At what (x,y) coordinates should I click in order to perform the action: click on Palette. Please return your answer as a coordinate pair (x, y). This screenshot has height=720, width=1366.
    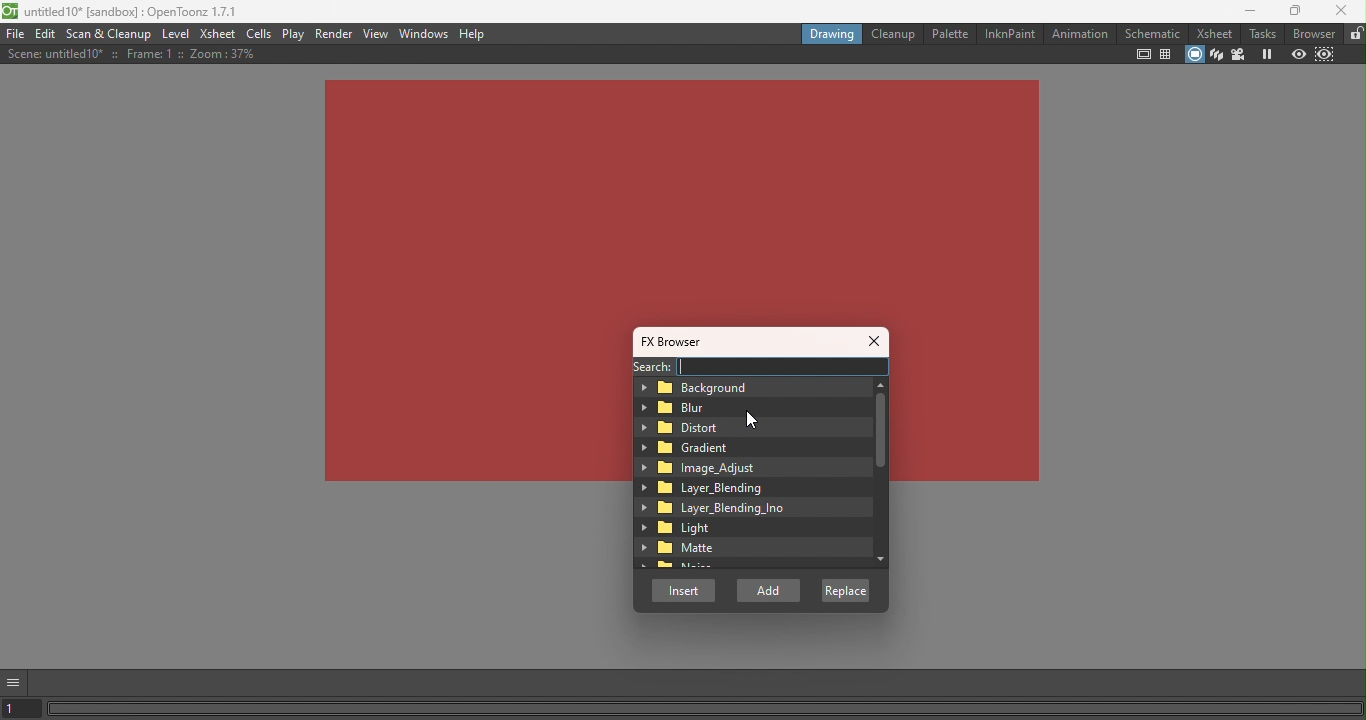
    Looking at the image, I should click on (949, 34).